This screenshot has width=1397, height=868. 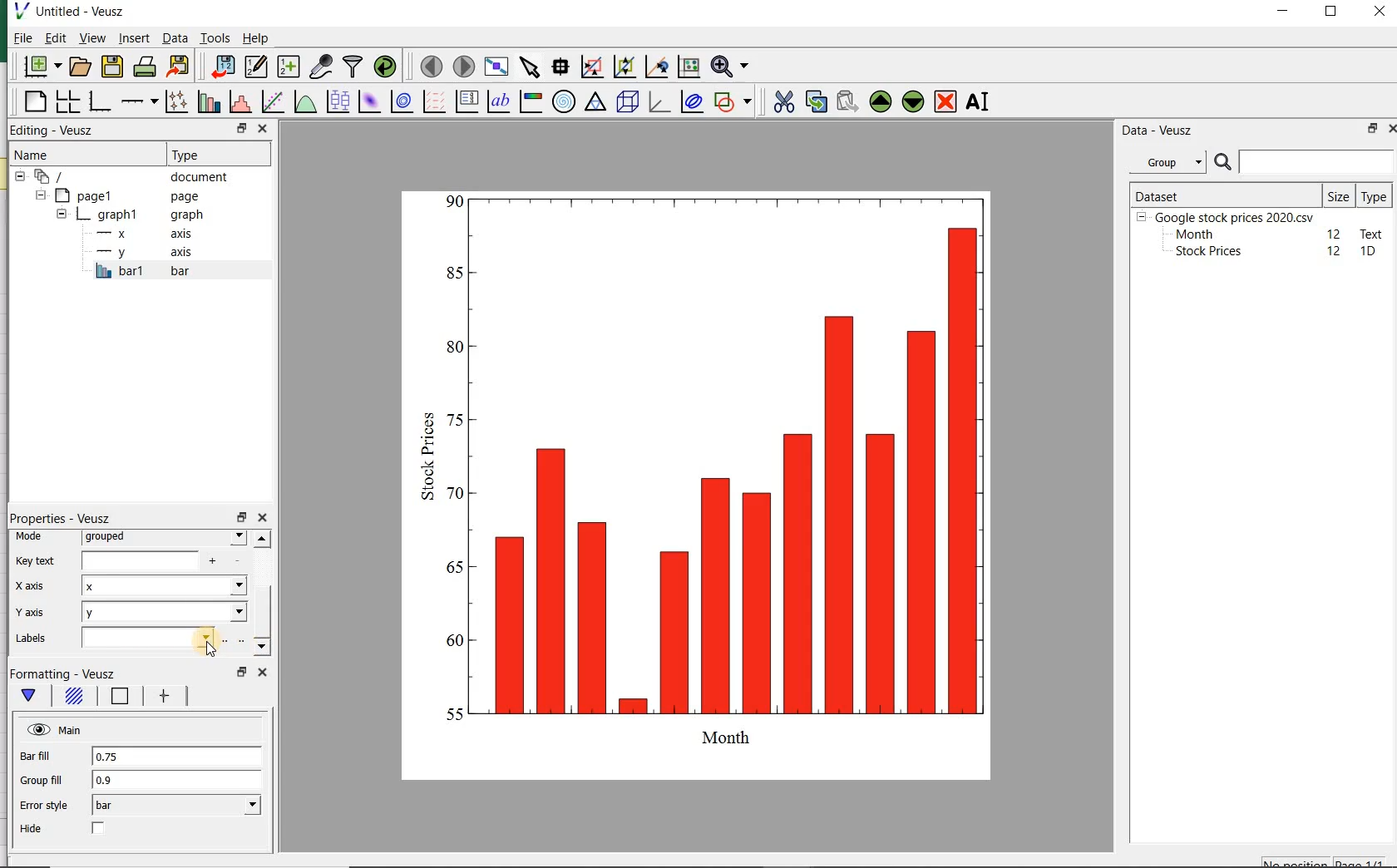 I want to click on y-axis, so click(x=141, y=253).